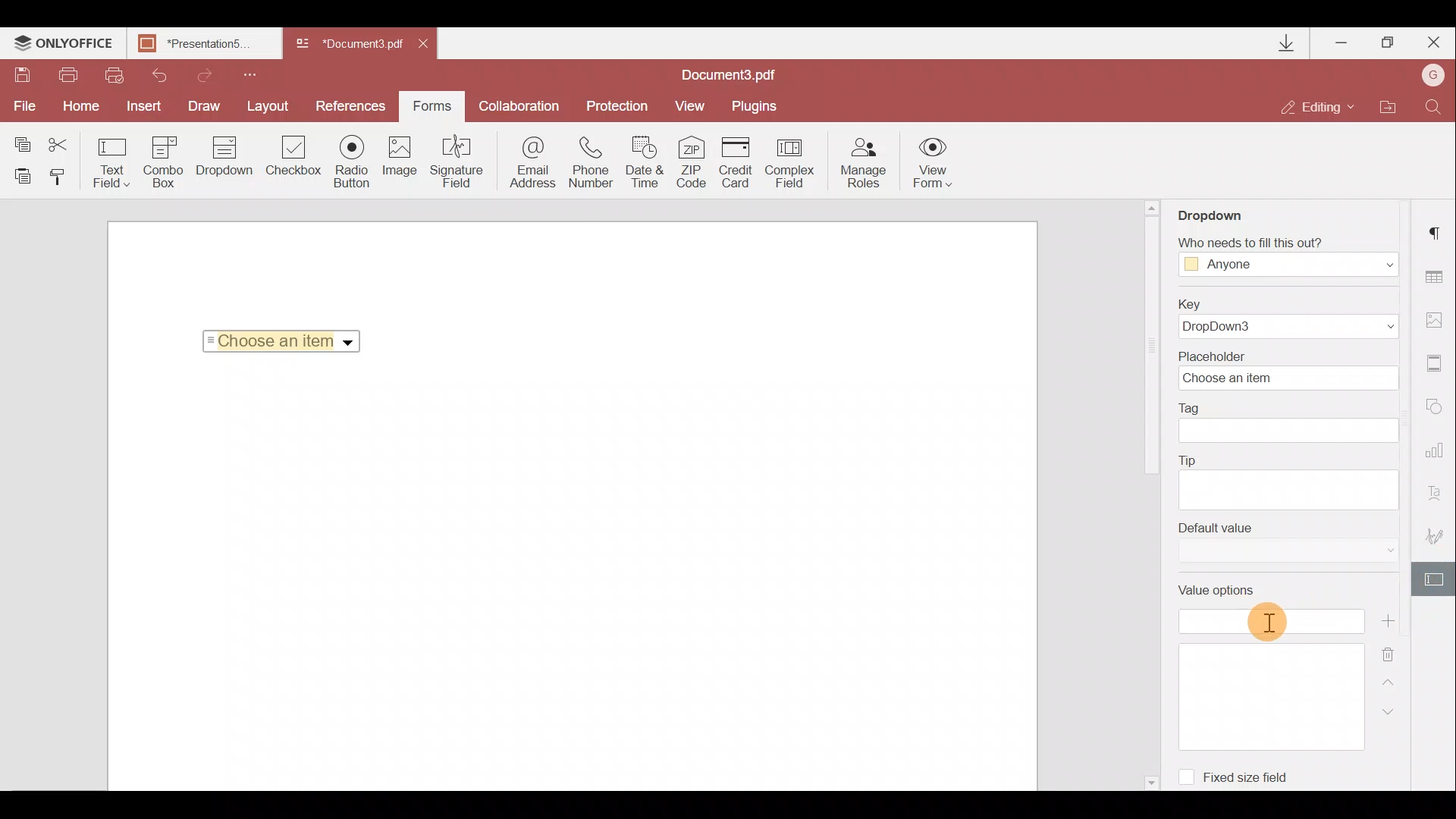 Image resolution: width=1456 pixels, height=819 pixels. What do you see at coordinates (1438, 450) in the screenshot?
I see `Chart settings` at bounding box center [1438, 450].